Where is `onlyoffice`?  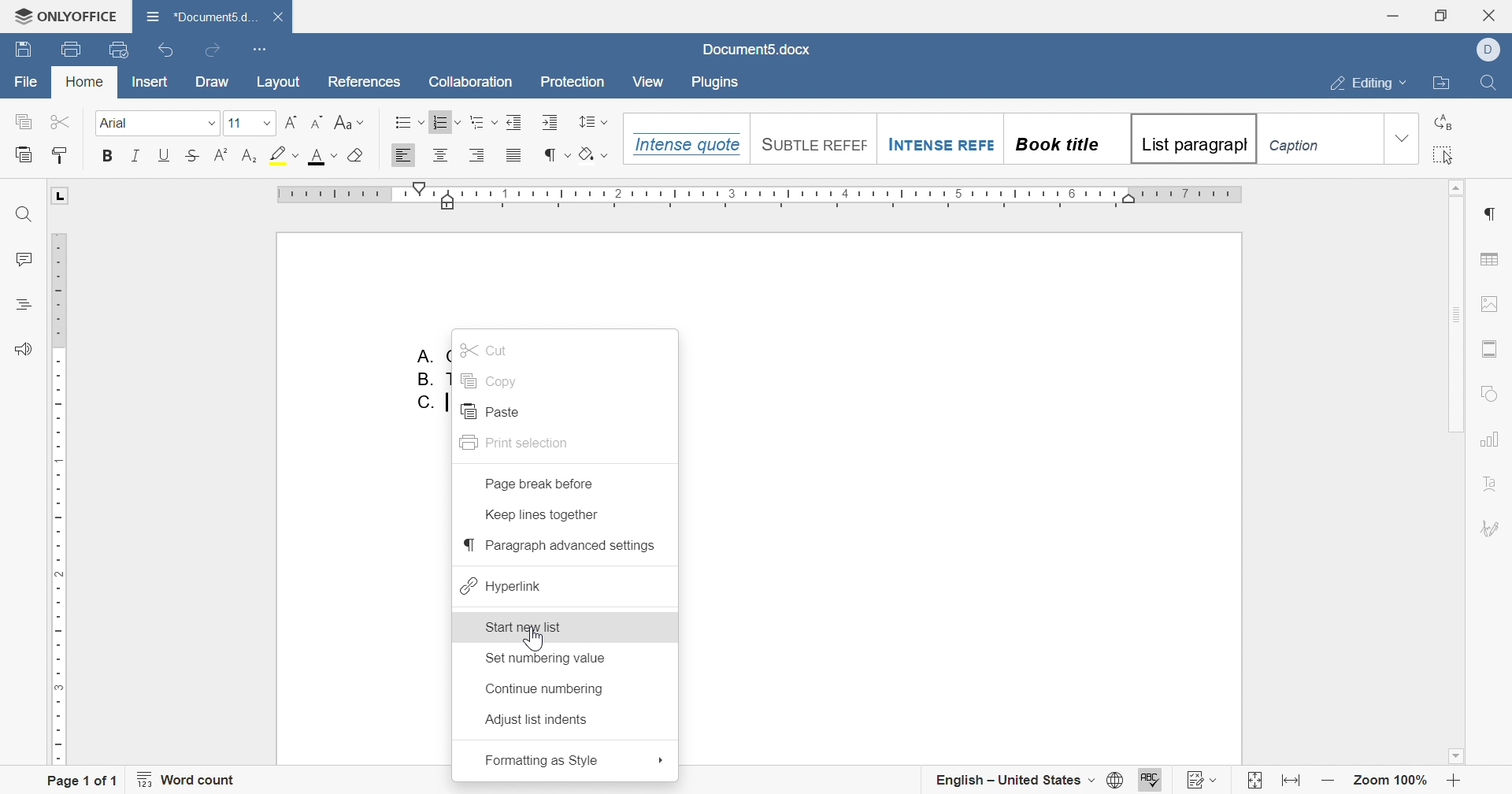
onlyoffice is located at coordinates (66, 16).